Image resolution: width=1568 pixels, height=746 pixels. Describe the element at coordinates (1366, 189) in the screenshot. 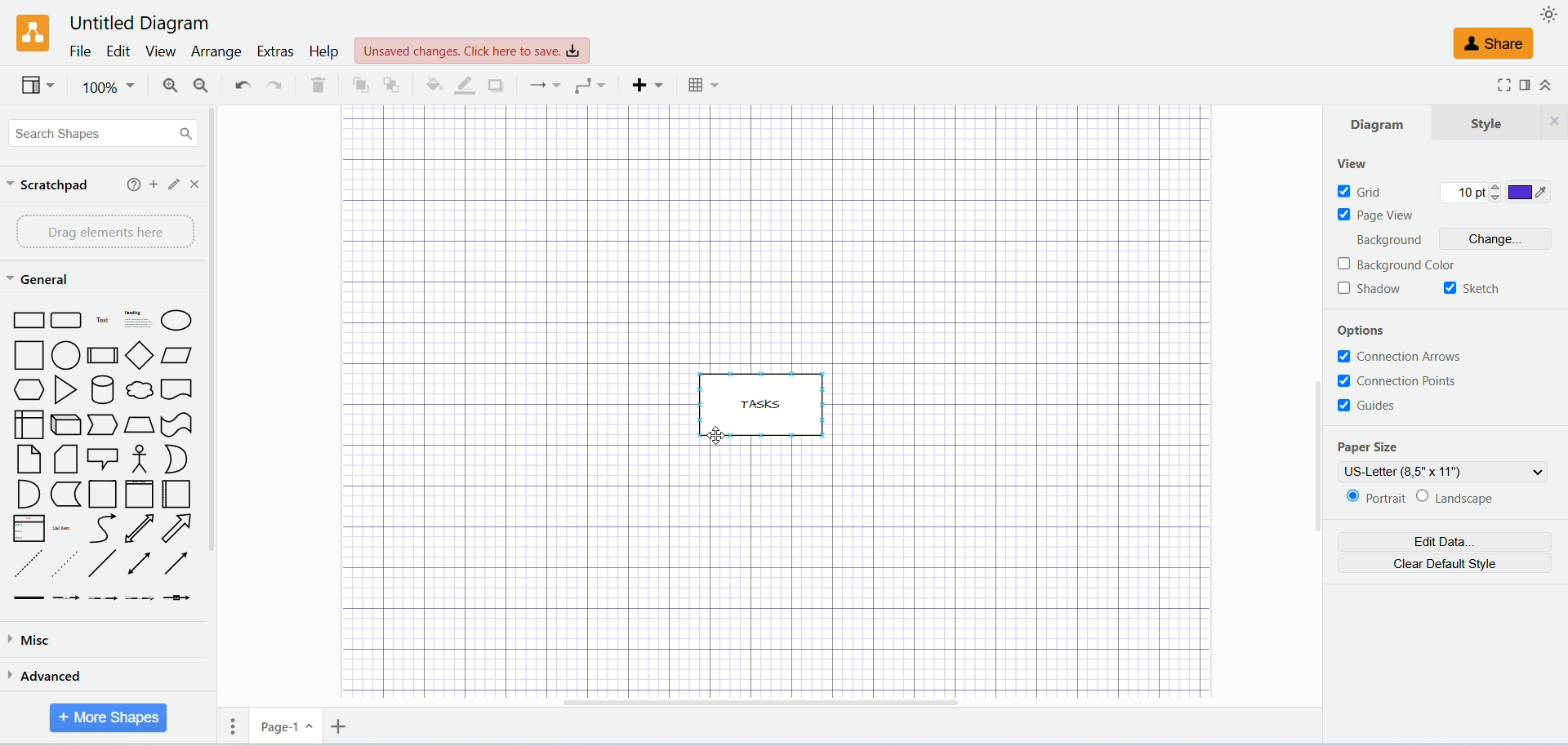

I see `grid` at that location.